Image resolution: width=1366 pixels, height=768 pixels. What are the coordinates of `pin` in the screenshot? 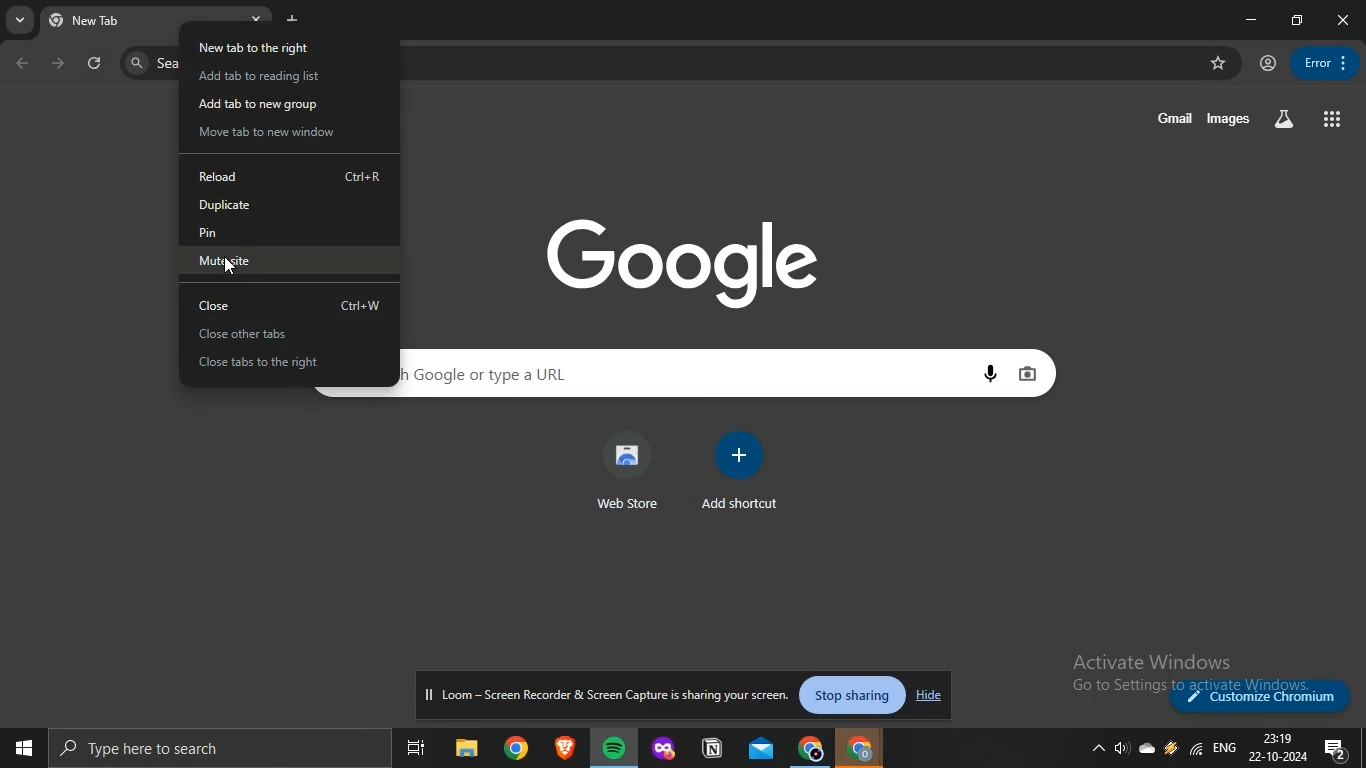 It's located at (286, 234).